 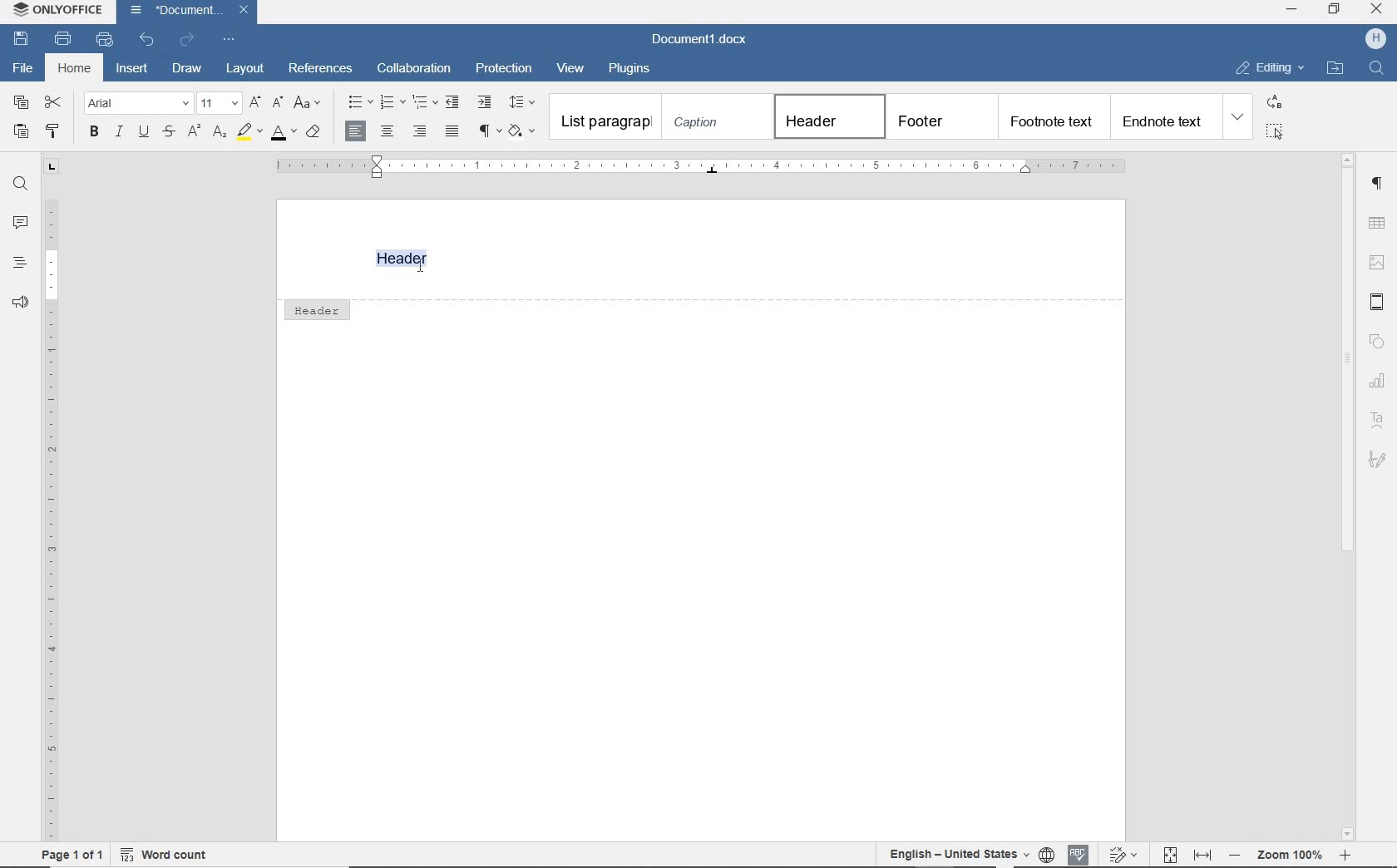 What do you see at coordinates (18, 223) in the screenshot?
I see `comments` at bounding box center [18, 223].